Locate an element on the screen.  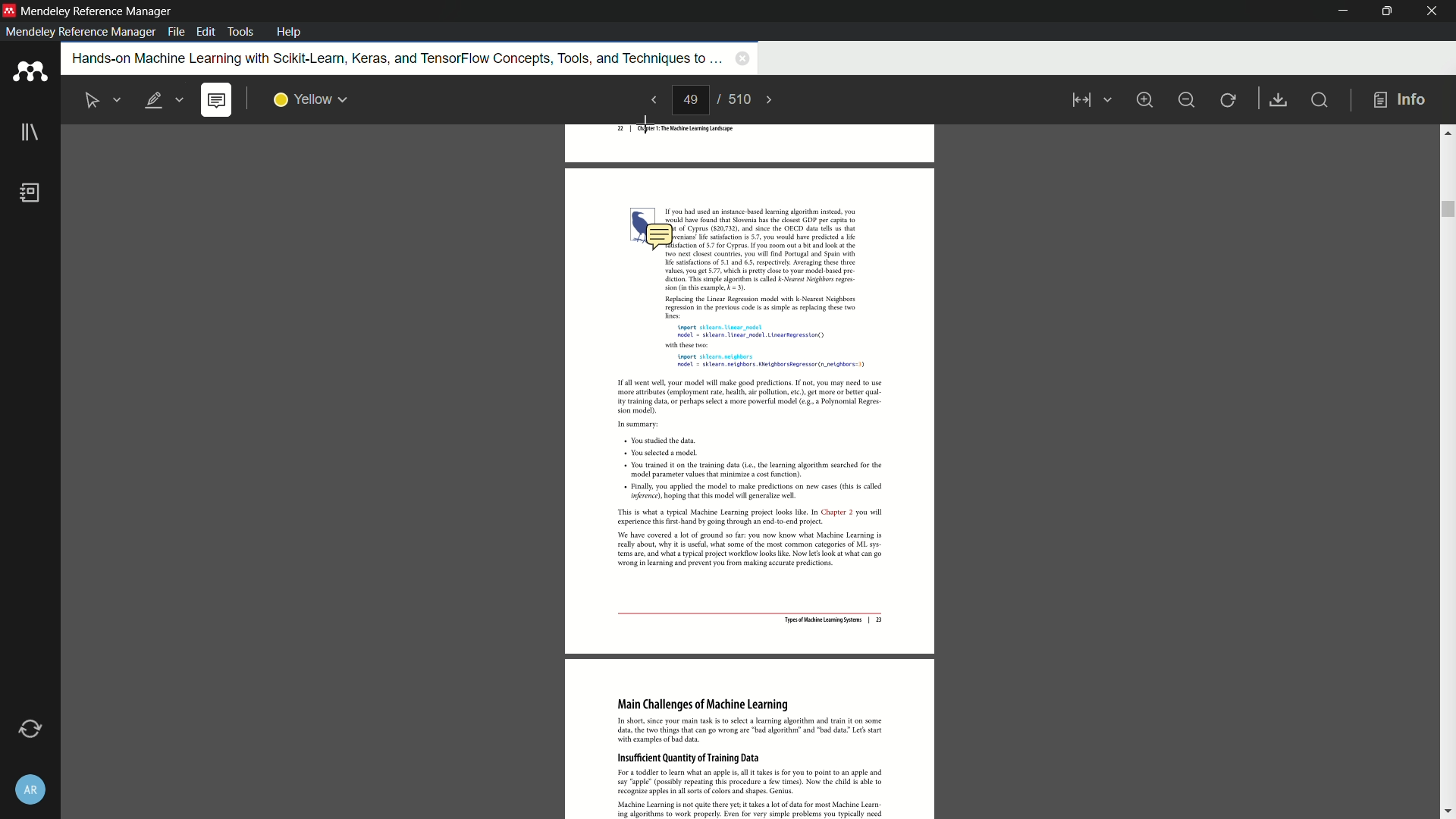
next page is located at coordinates (777, 99).